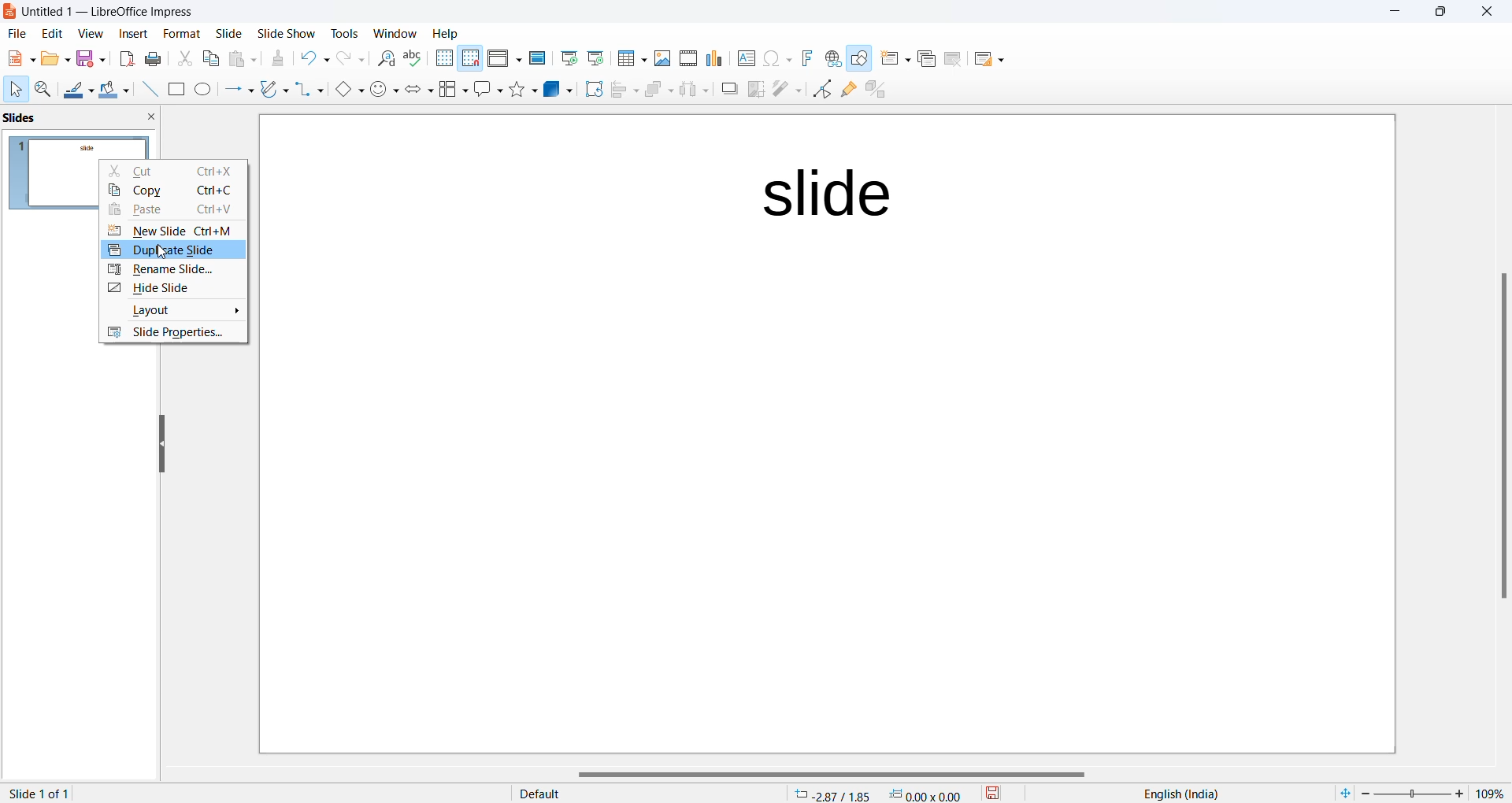  Describe the element at coordinates (285, 31) in the screenshot. I see `Slide show` at that location.